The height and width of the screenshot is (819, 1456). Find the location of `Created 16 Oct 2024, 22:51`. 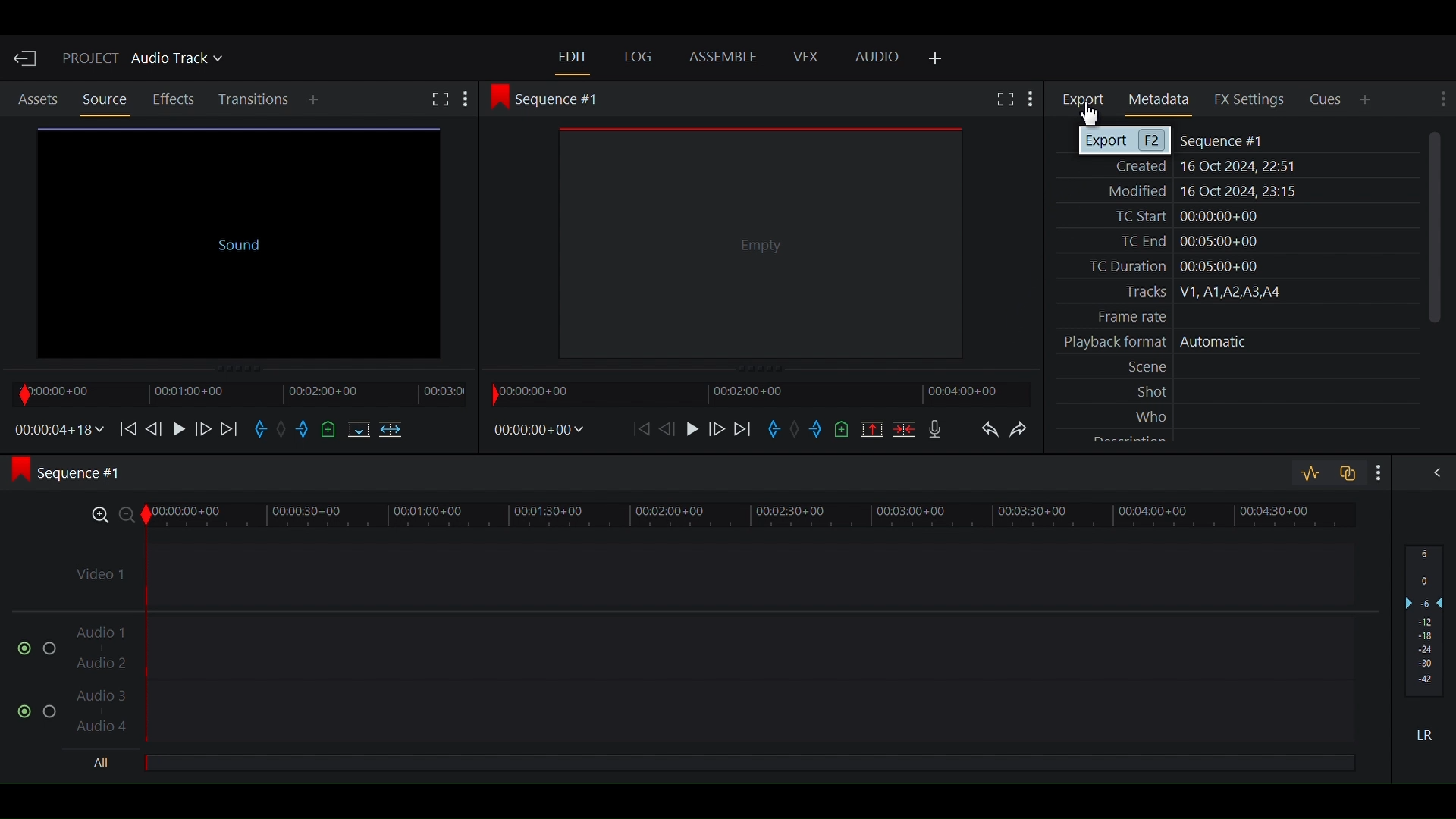

Created 16 Oct 2024, 22:51 is located at coordinates (1199, 166).